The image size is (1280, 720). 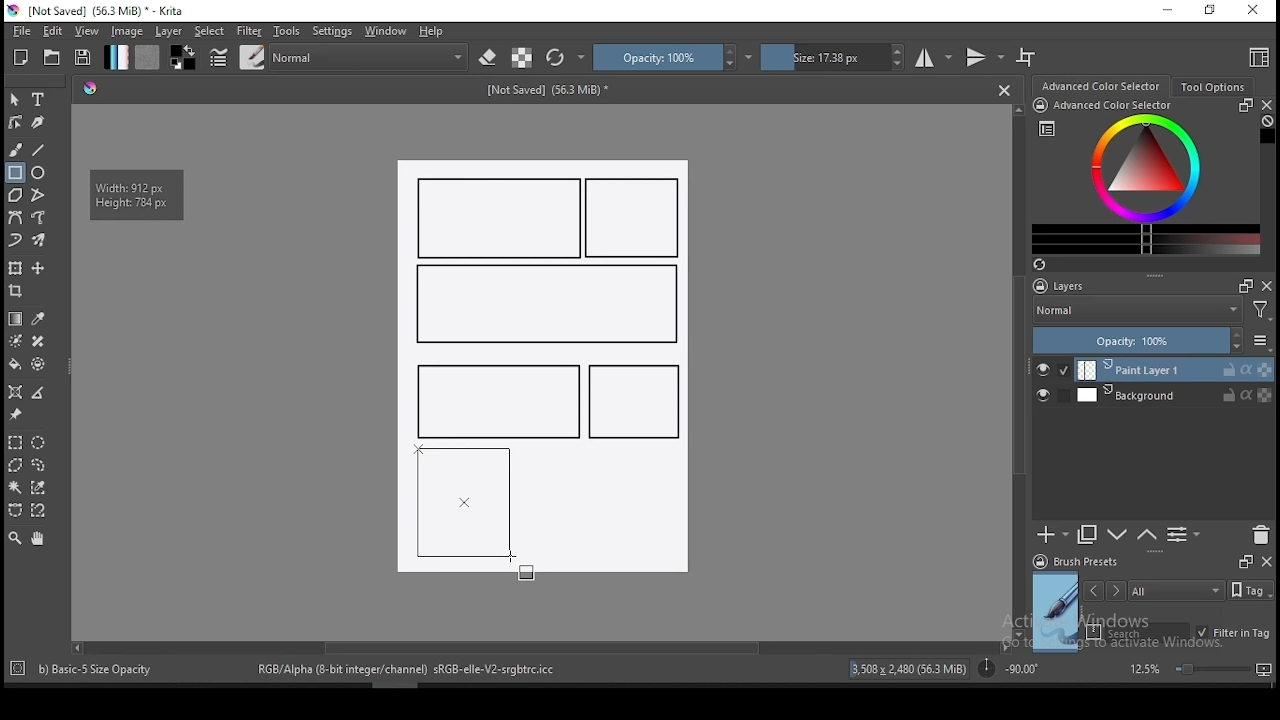 What do you see at coordinates (14, 415) in the screenshot?
I see `reference images tool` at bounding box center [14, 415].